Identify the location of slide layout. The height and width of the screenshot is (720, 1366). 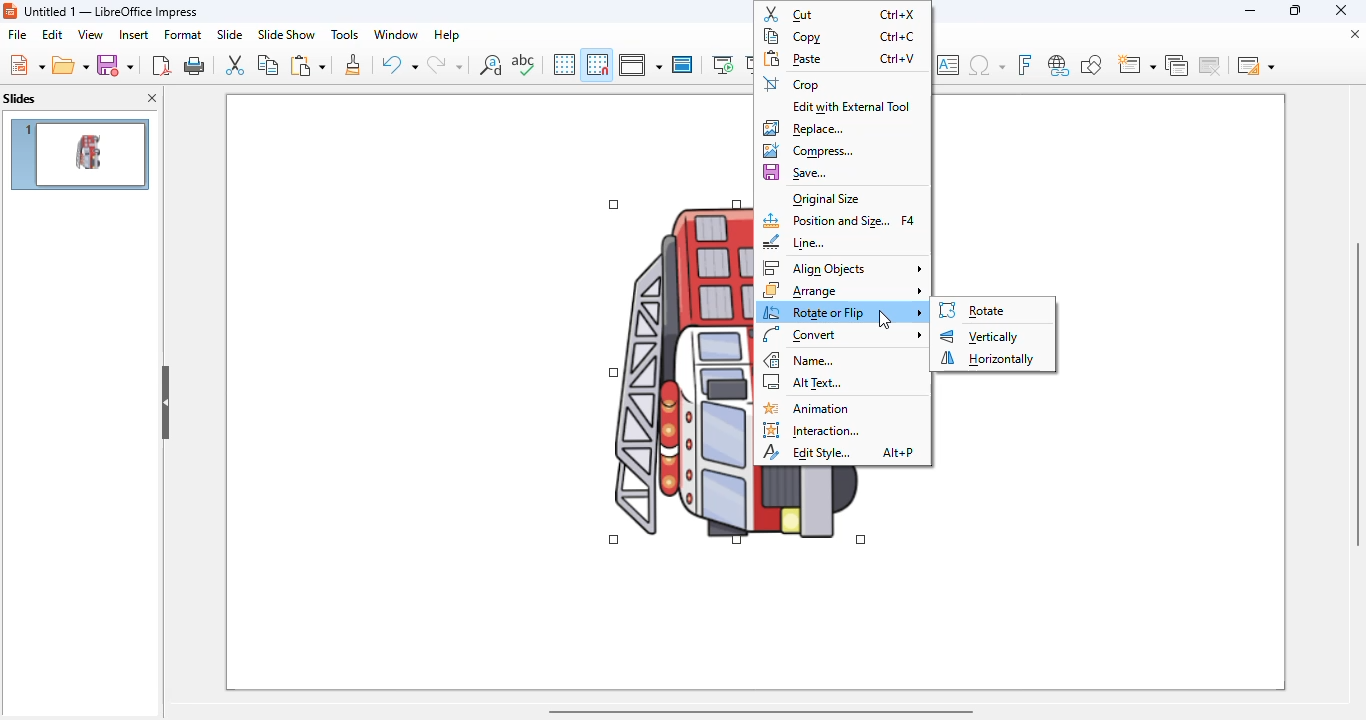
(1254, 64).